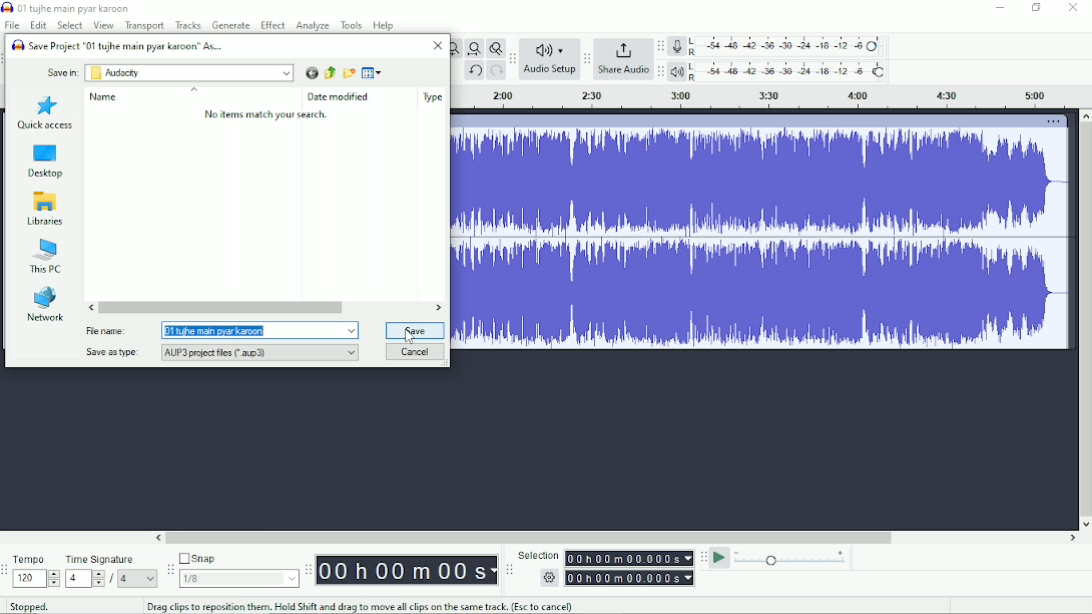  Describe the element at coordinates (1056, 121) in the screenshot. I see `More options` at that location.